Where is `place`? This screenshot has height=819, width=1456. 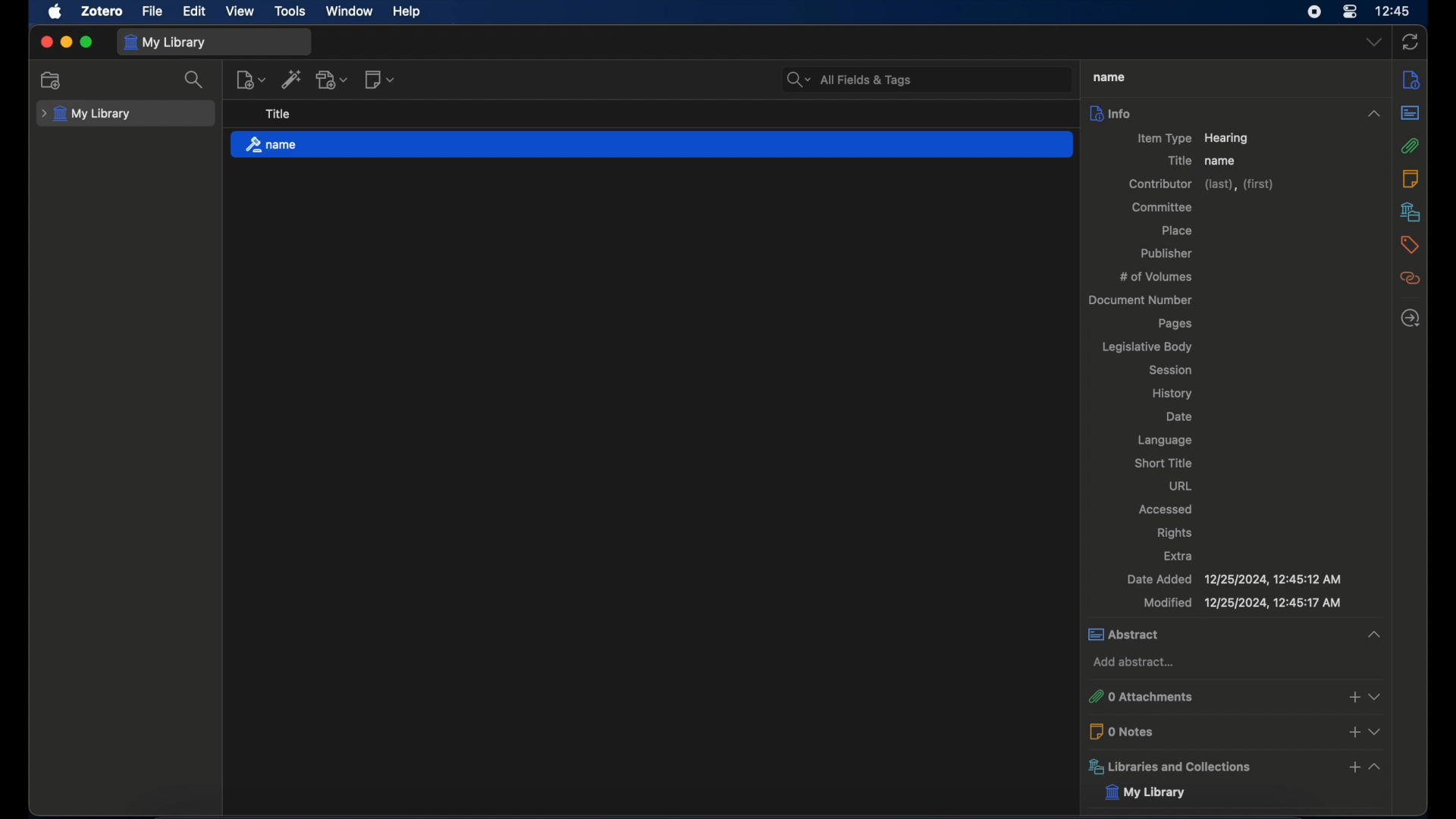
place is located at coordinates (1175, 231).